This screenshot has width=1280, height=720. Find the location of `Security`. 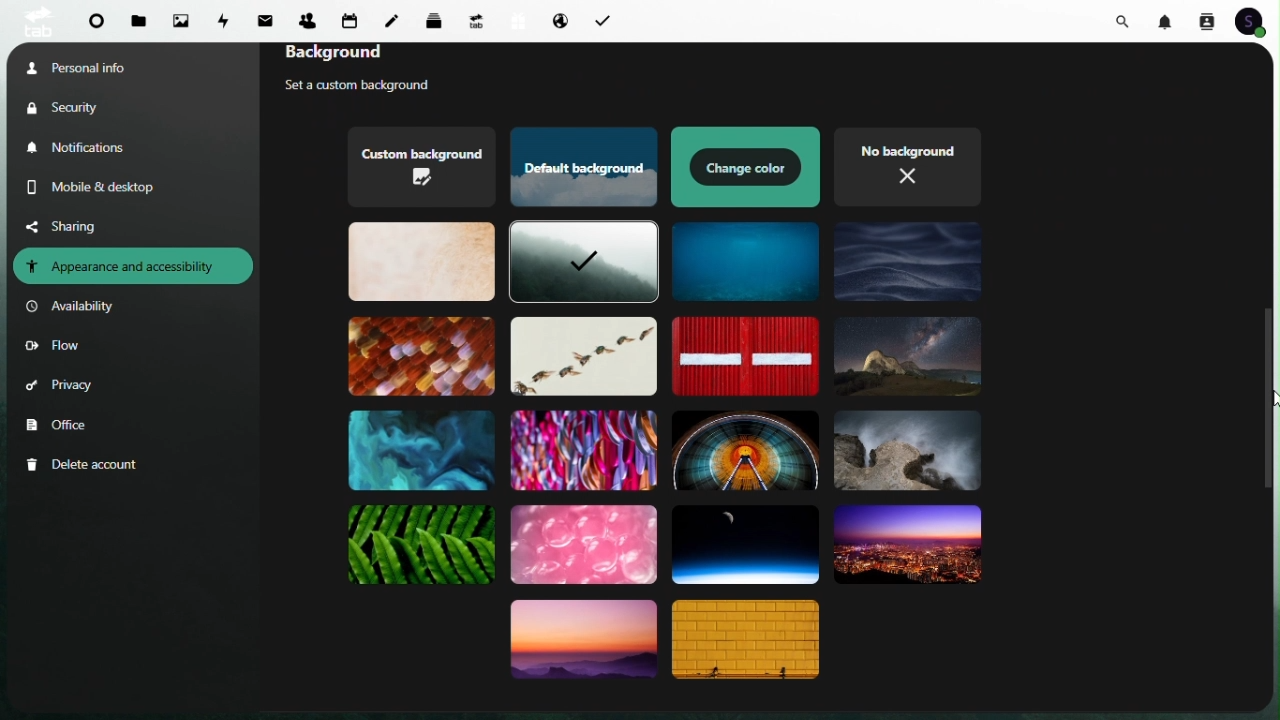

Security is located at coordinates (81, 107).